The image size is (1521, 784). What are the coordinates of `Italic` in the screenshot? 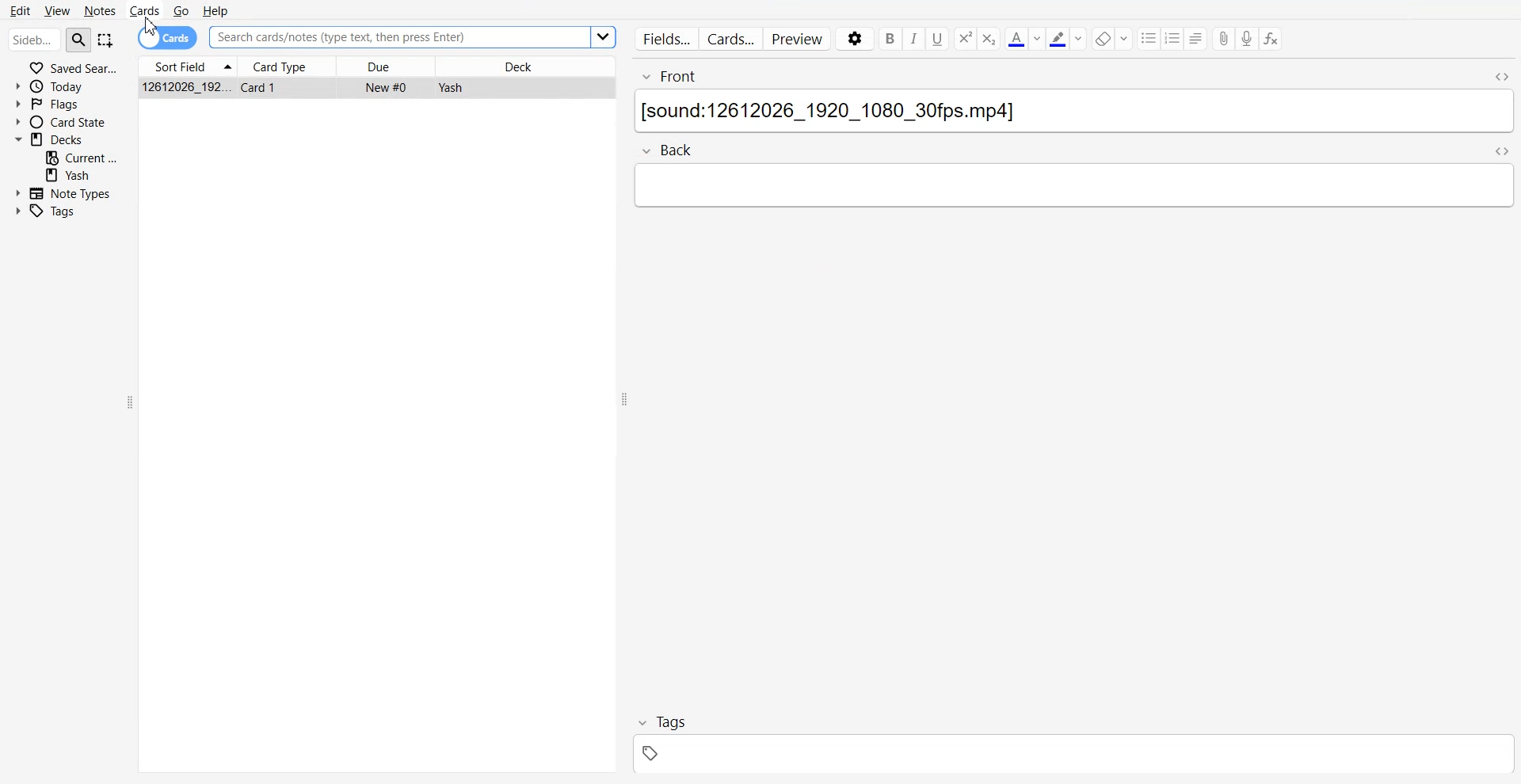 It's located at (914, 39).